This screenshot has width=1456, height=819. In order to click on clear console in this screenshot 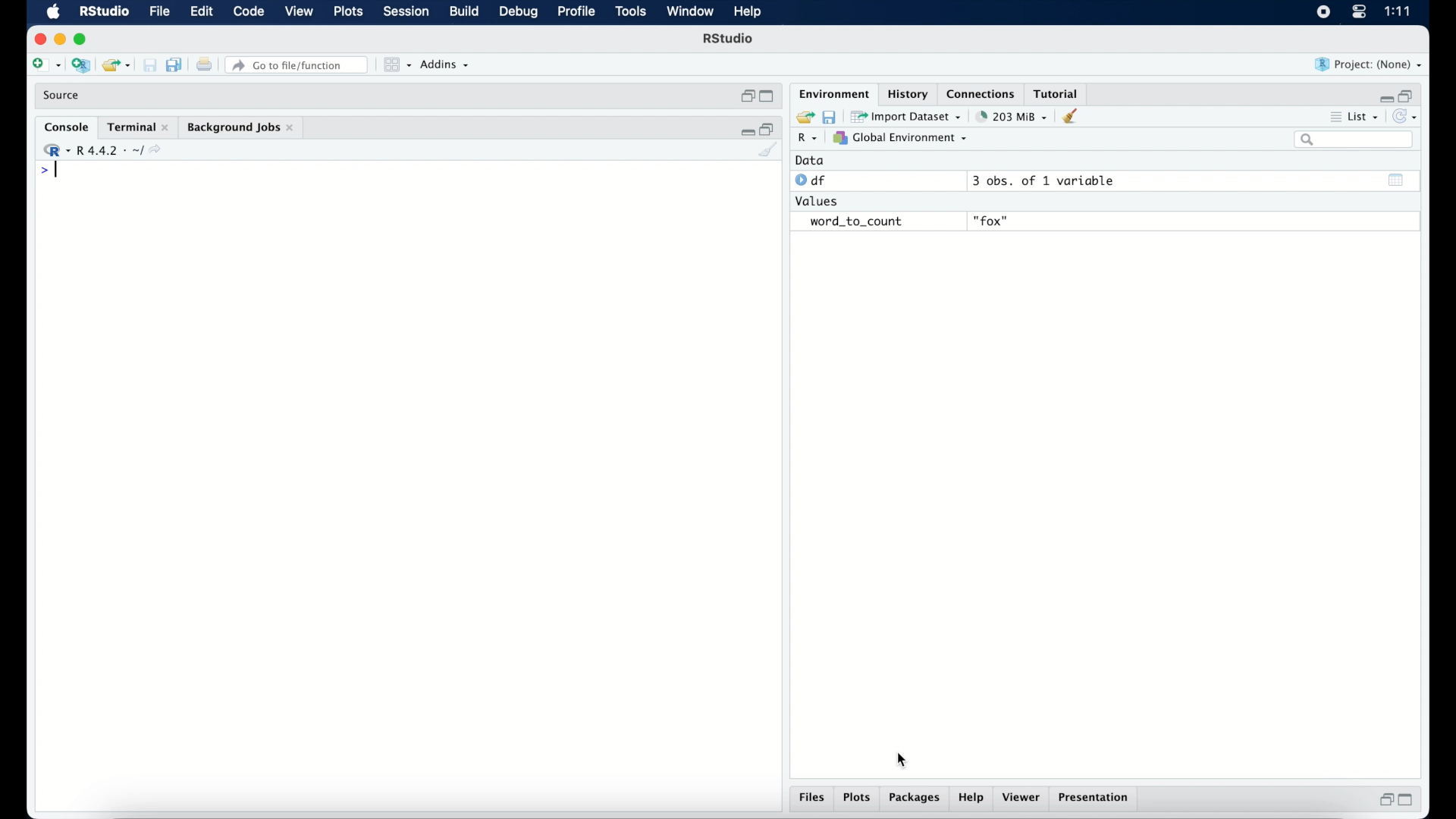, I will do `click(1074, 116)`.